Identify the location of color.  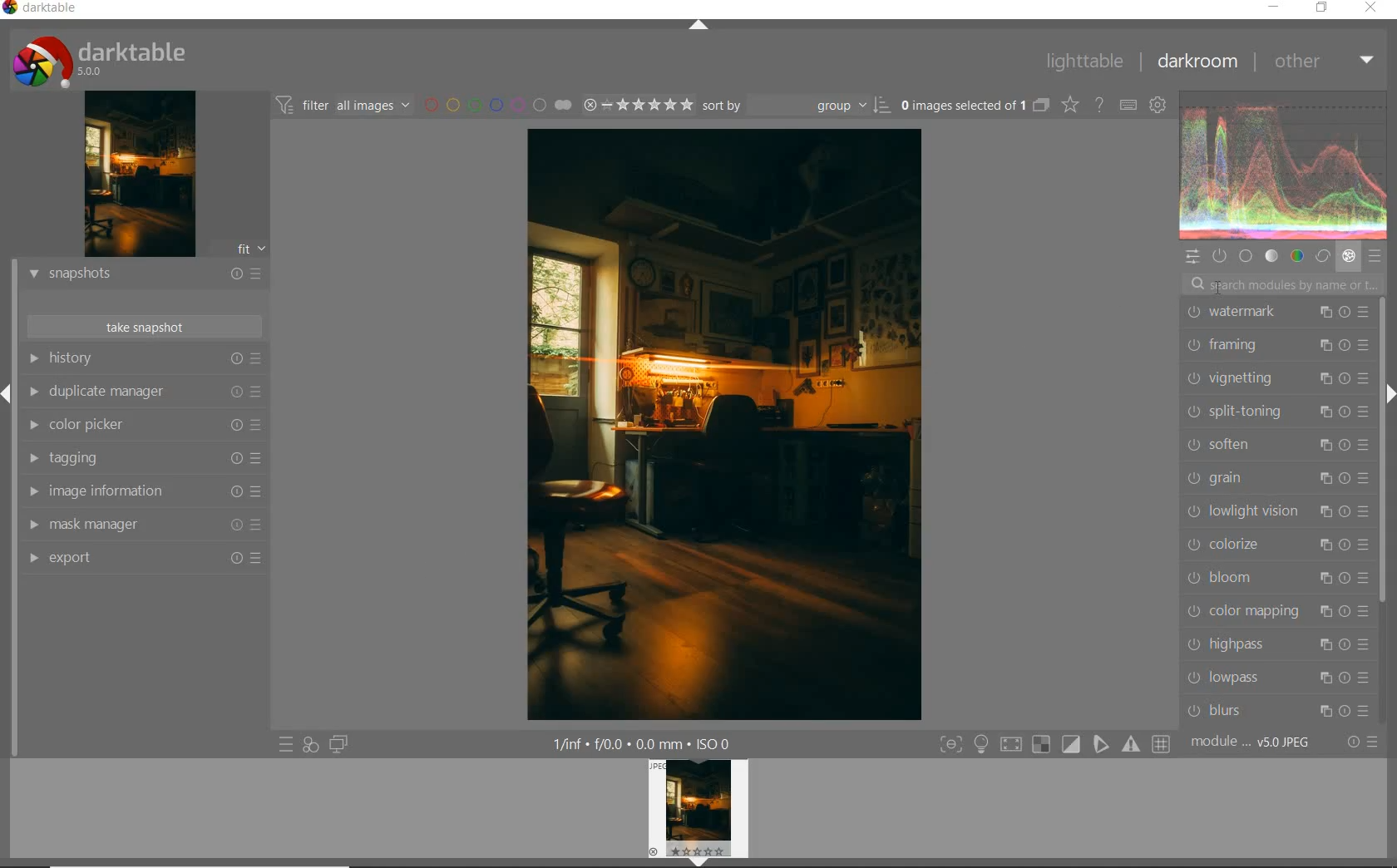
(1299, 254).